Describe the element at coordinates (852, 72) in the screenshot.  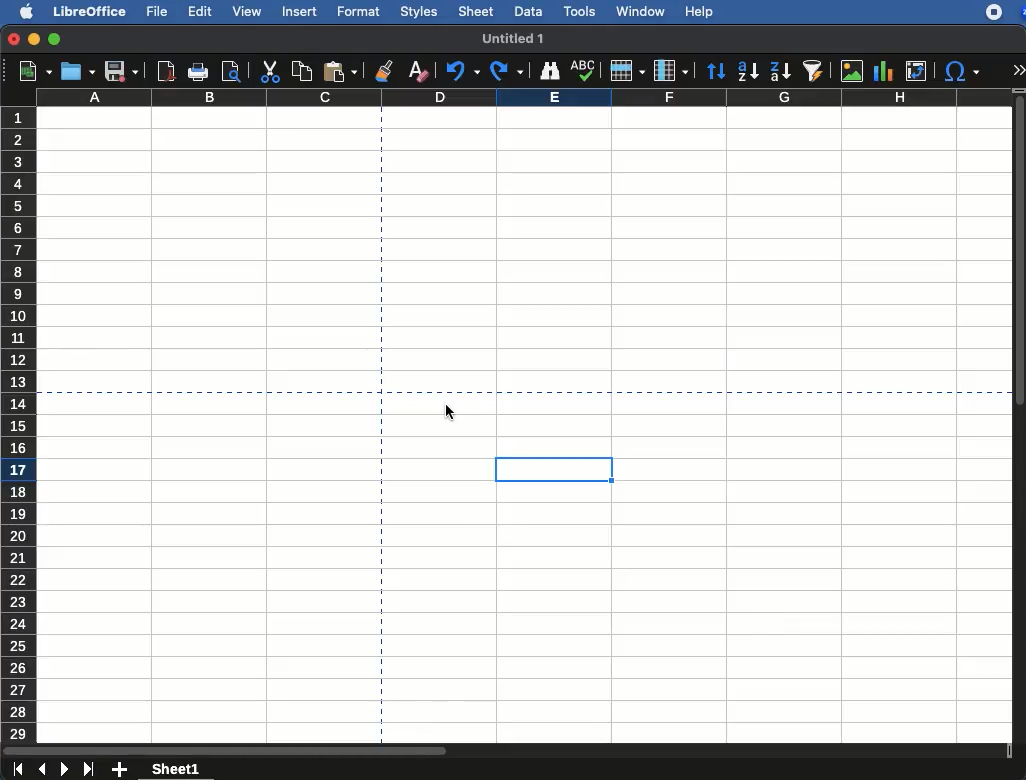
I see `image` at that location.